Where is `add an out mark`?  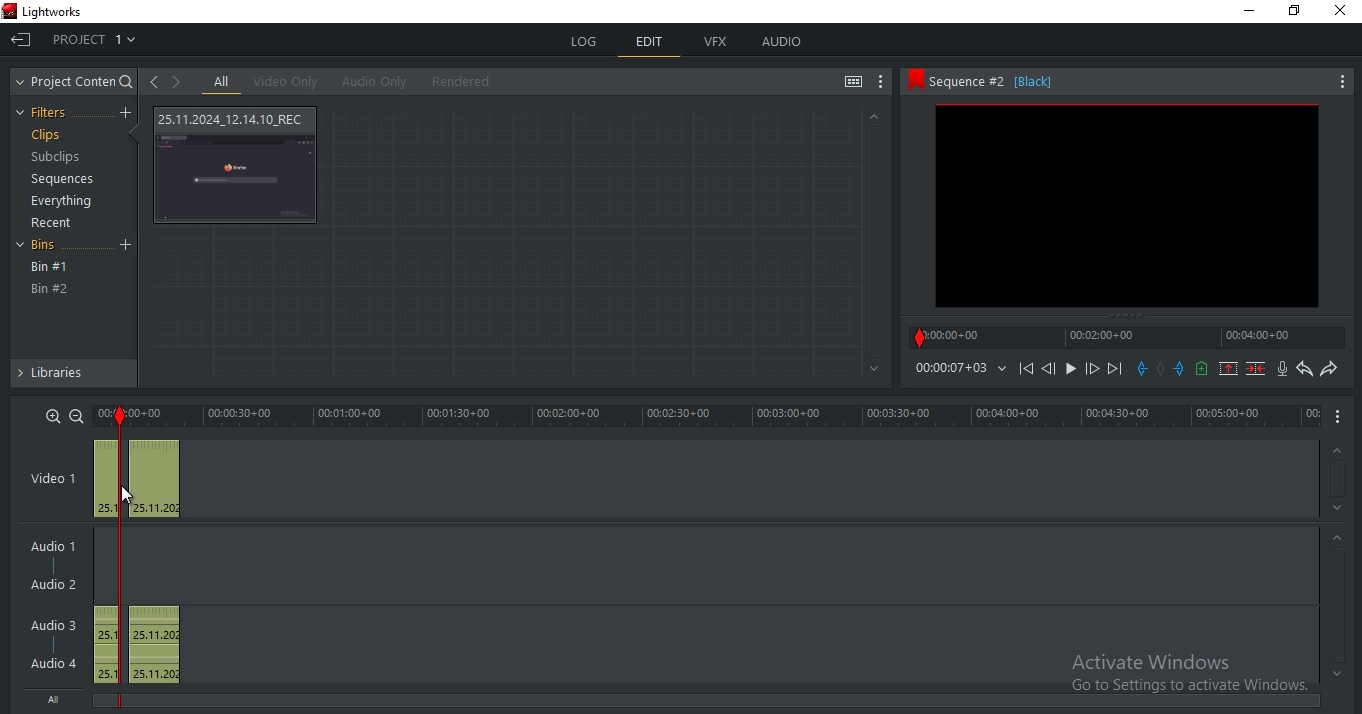 add an out mark is located at coordinates (1180, 369).